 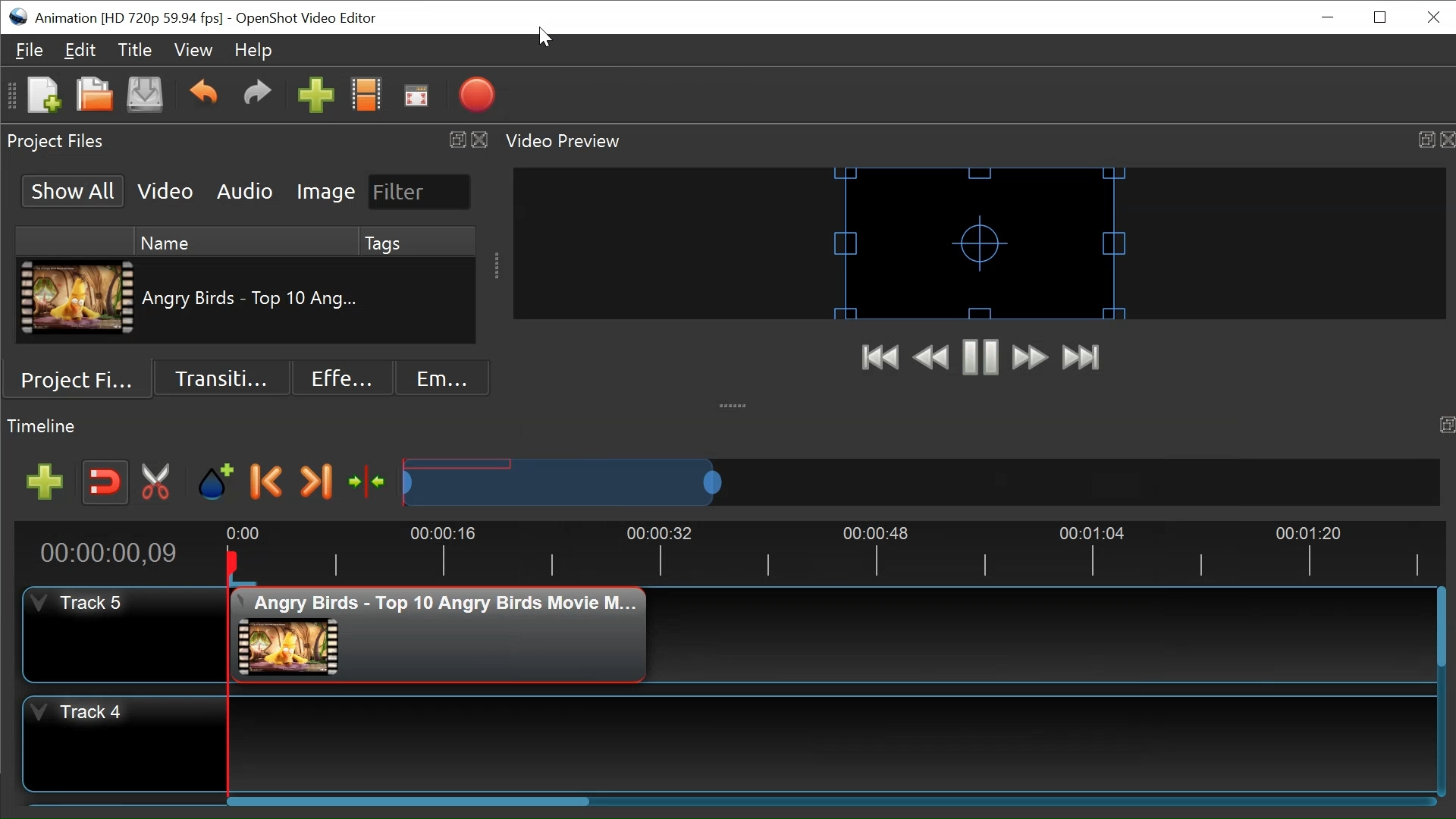 What do you see at coordinates (252, 52) in the screenshot?
I see `Help` at bounding box center [252, 52].